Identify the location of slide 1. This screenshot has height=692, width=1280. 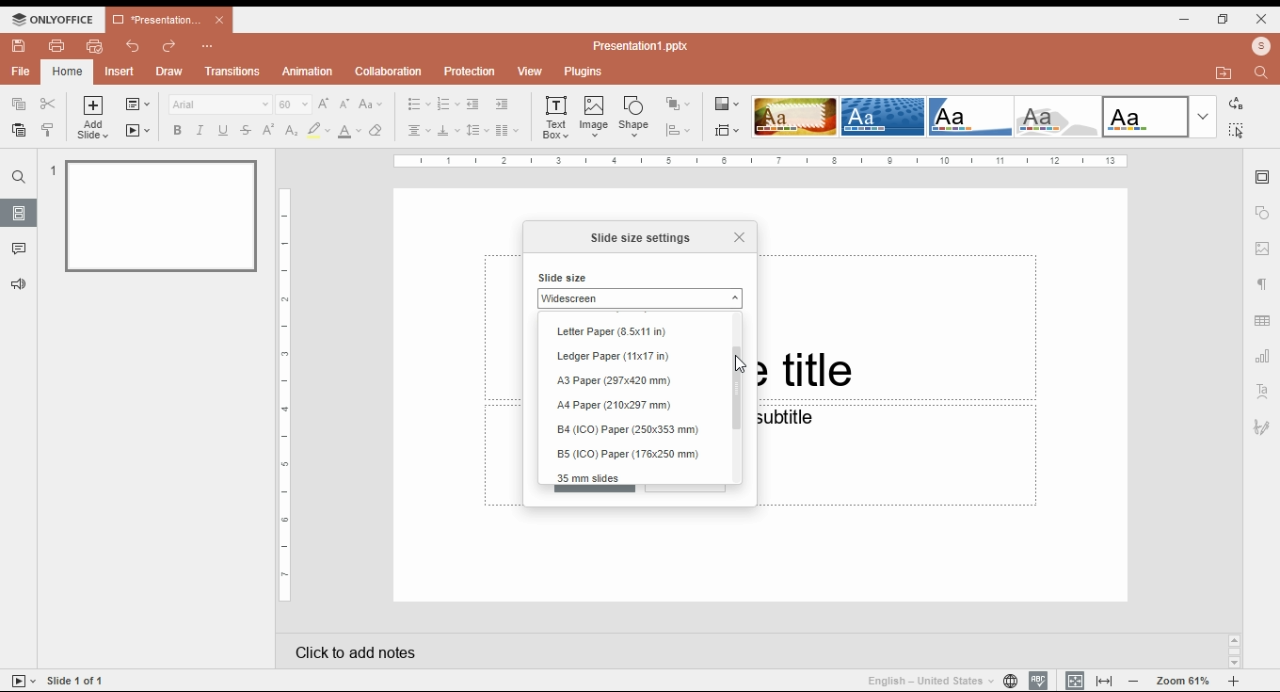
(154, 214).